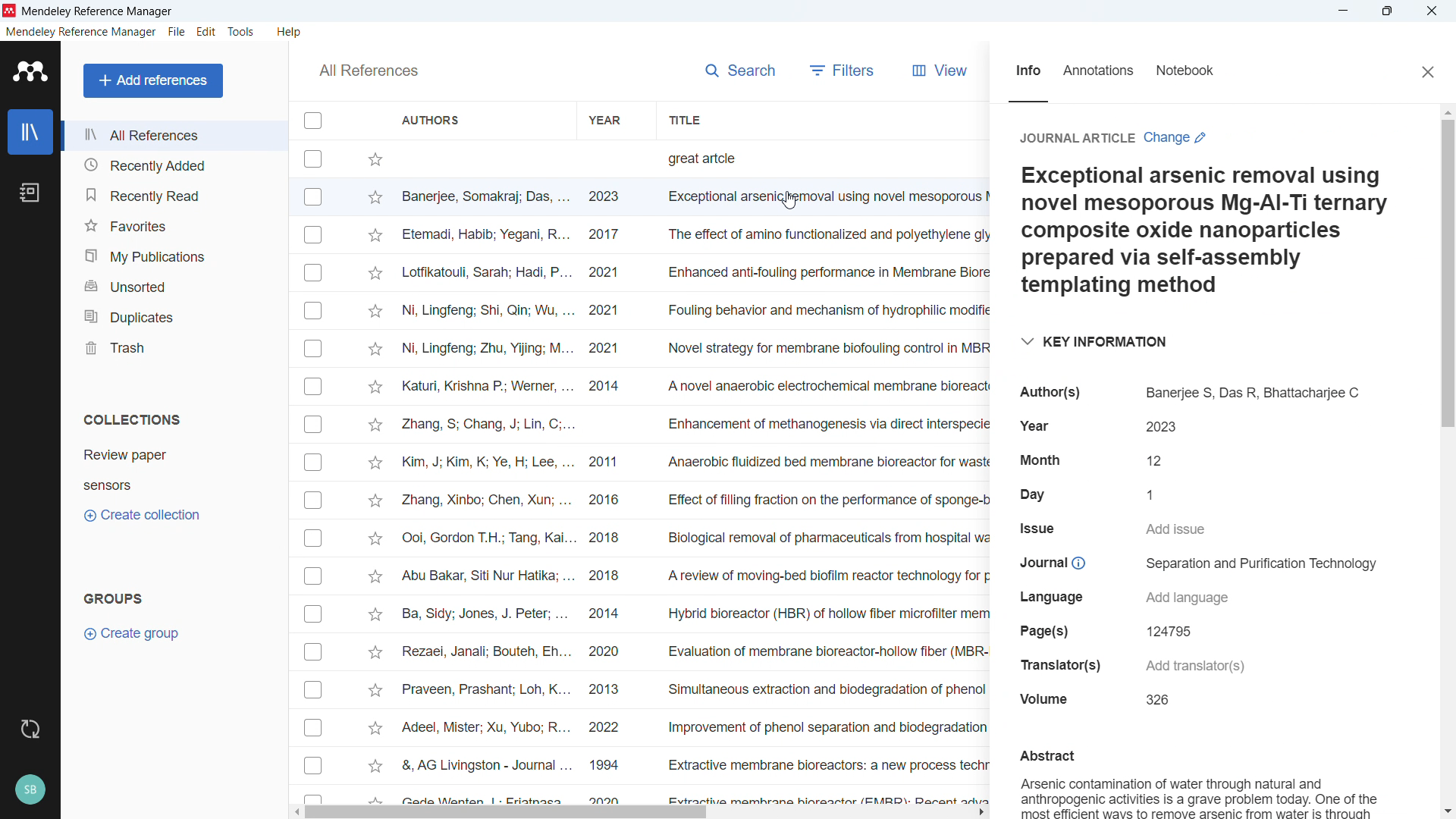  Describe the element at coordinates (1431, 11) in the screenshot. I see ` Close ` at that location.